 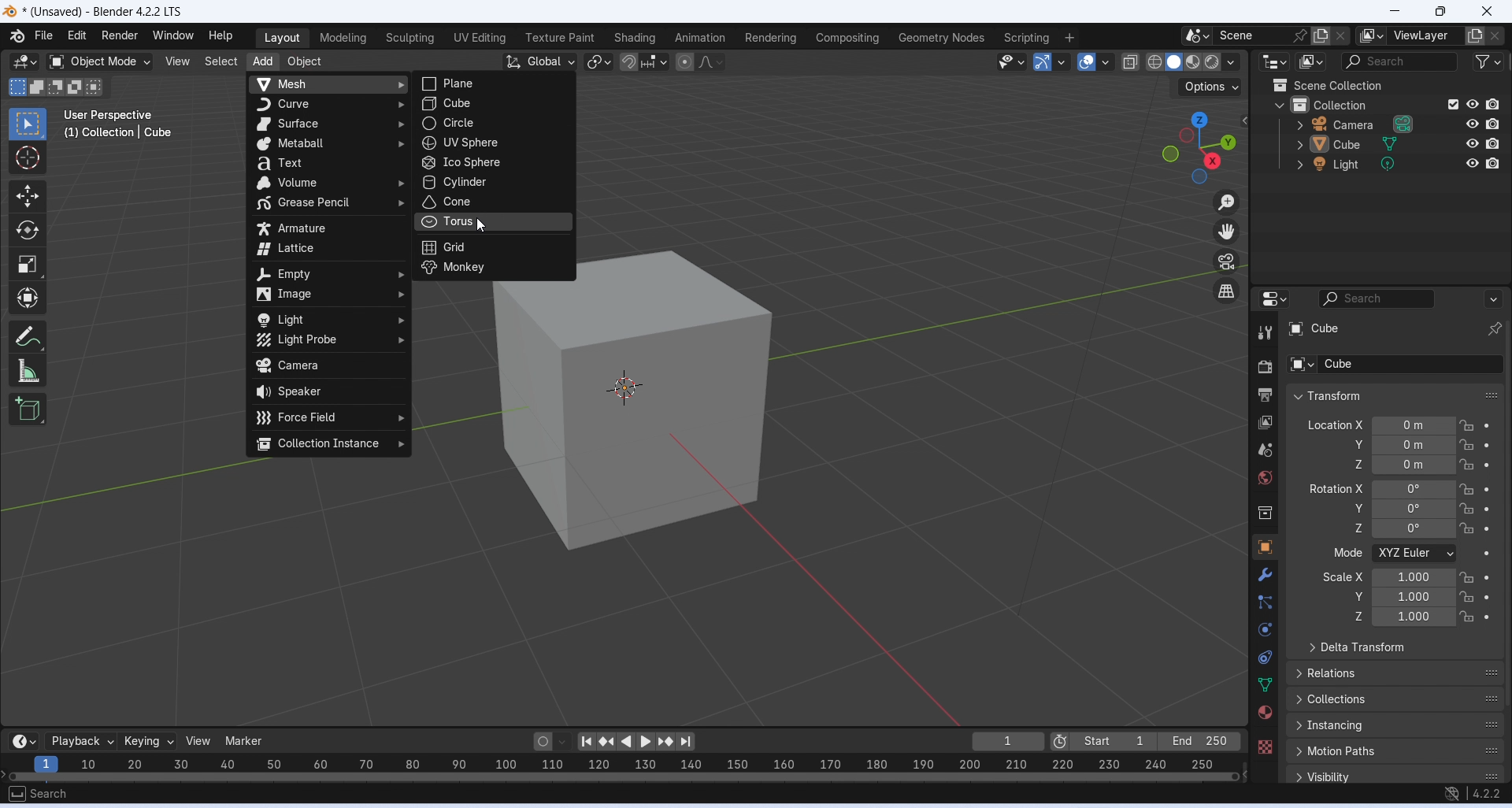 I want to click on 1, so click(x=1008, y=741).